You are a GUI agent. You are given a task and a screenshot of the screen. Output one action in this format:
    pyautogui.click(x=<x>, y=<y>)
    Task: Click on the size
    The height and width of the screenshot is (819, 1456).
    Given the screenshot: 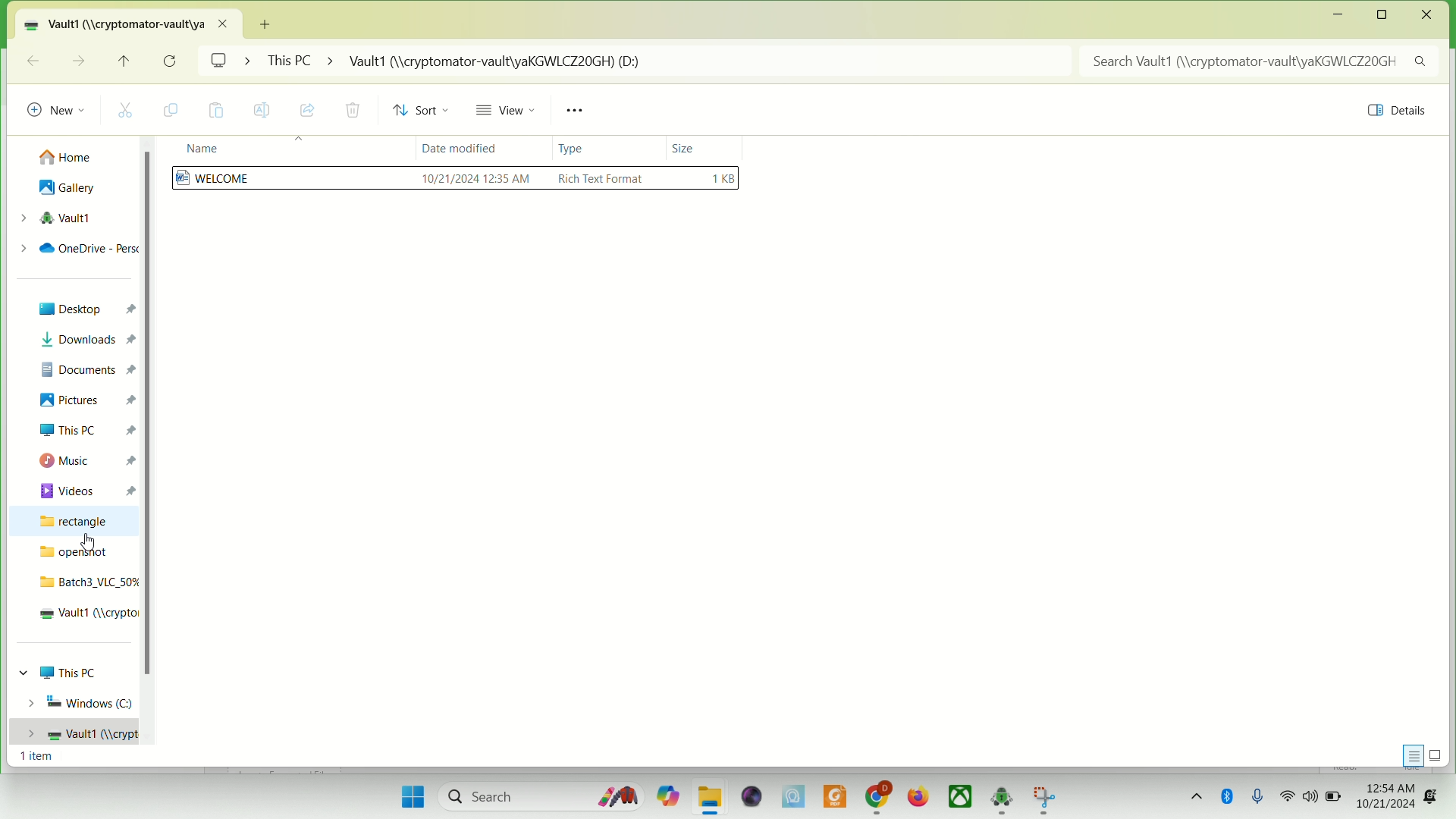 What is the action you would take?
    pyautogui.click(x=684, y=146)
    